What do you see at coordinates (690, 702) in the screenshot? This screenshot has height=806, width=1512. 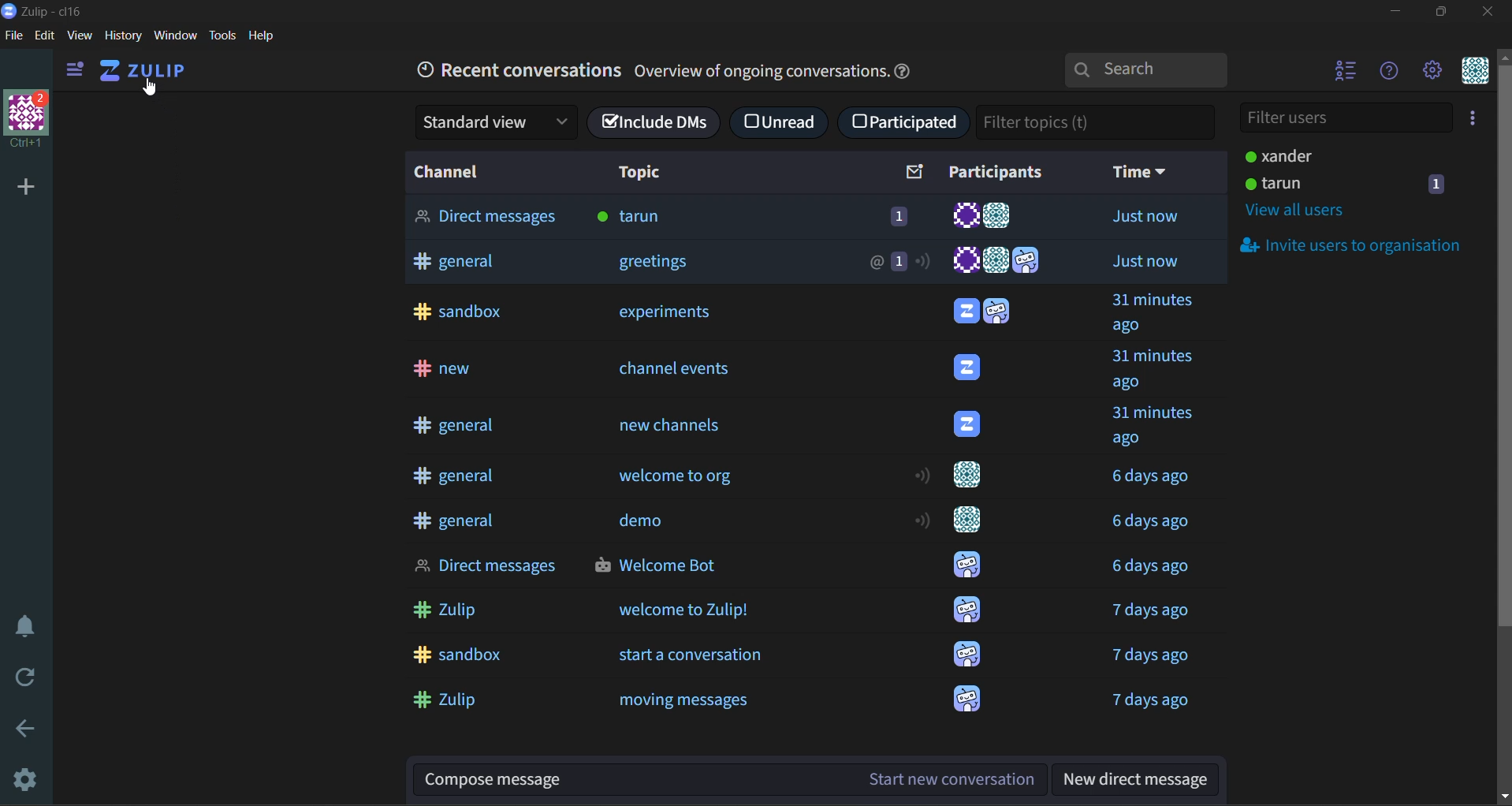 I see `moving messages` at bounding box center [690, 702].